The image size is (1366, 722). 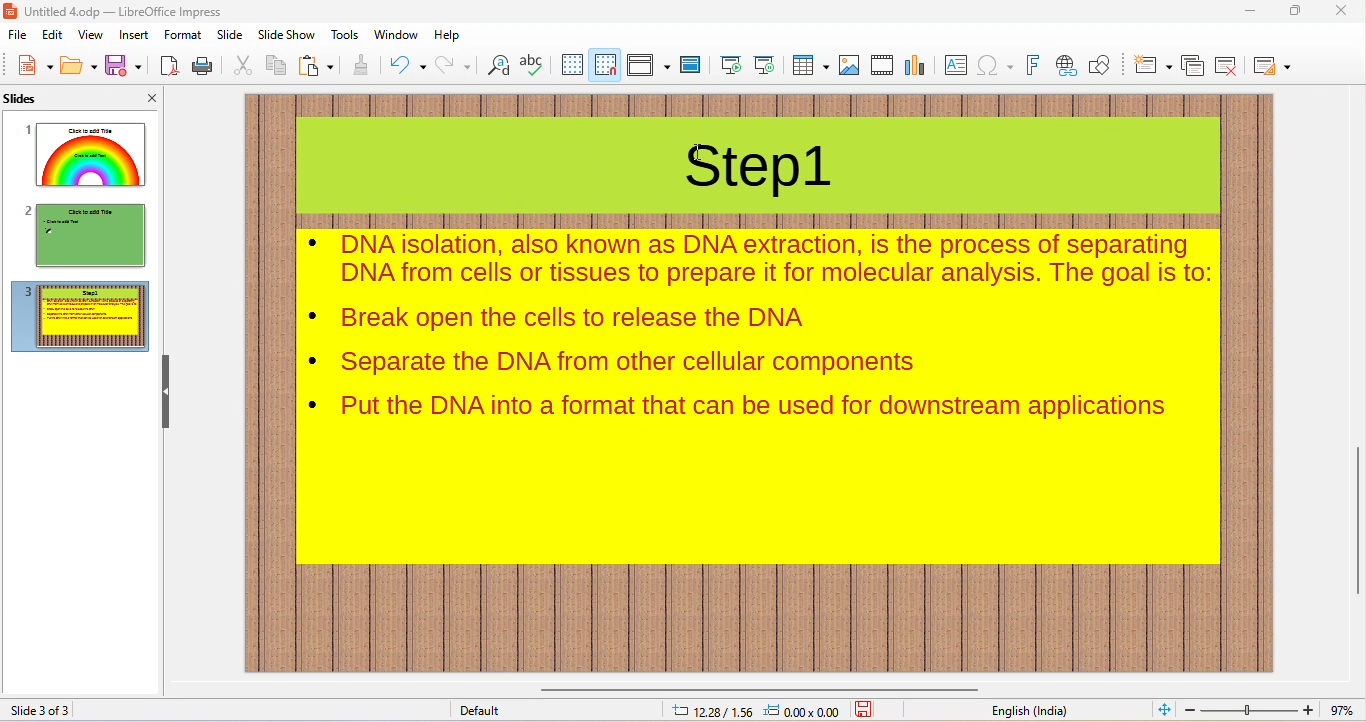 I want to click on remove, so click(x=1228, y=66).